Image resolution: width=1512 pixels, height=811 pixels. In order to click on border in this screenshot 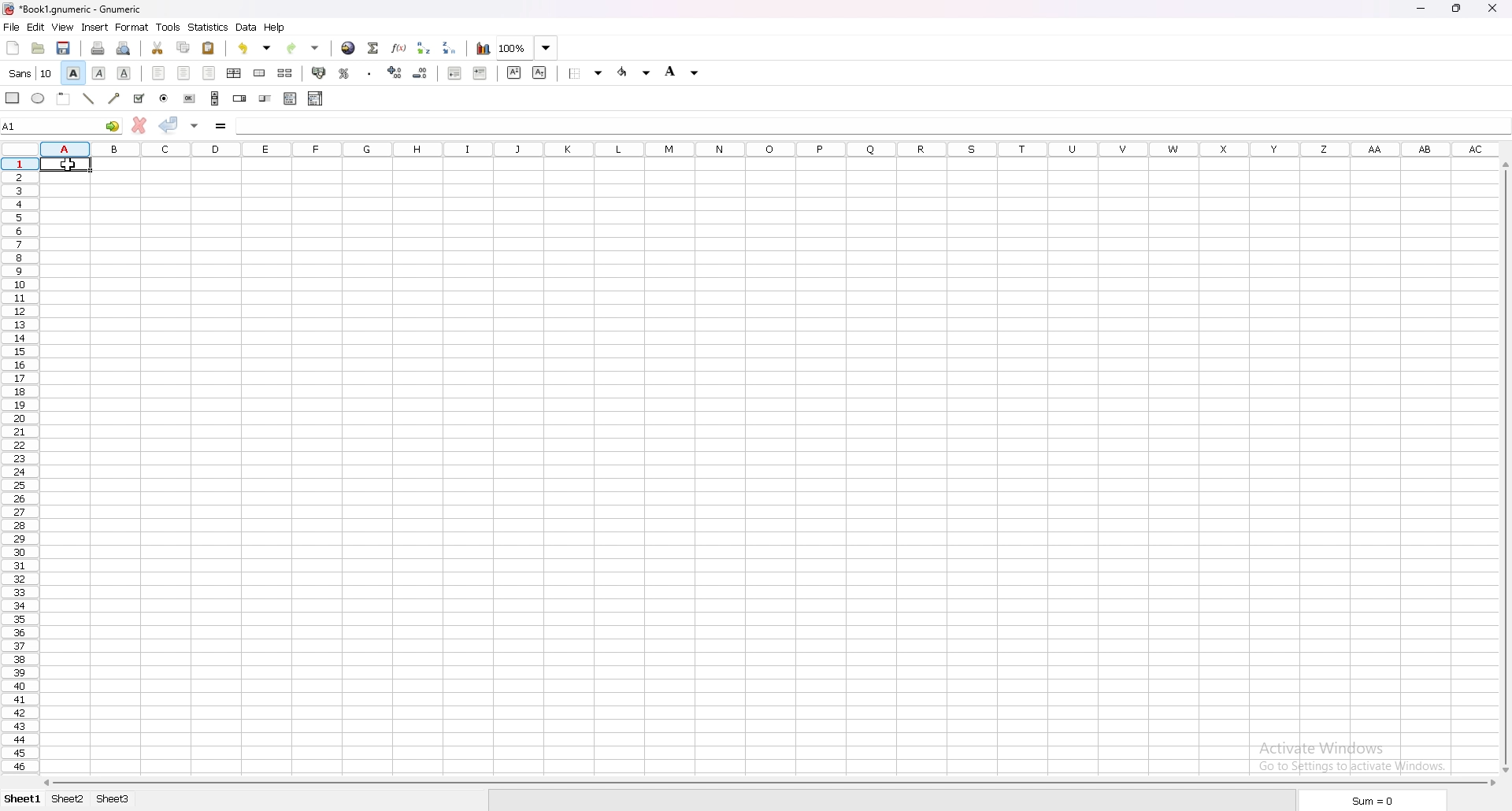, I will do `click(586, 74)`.